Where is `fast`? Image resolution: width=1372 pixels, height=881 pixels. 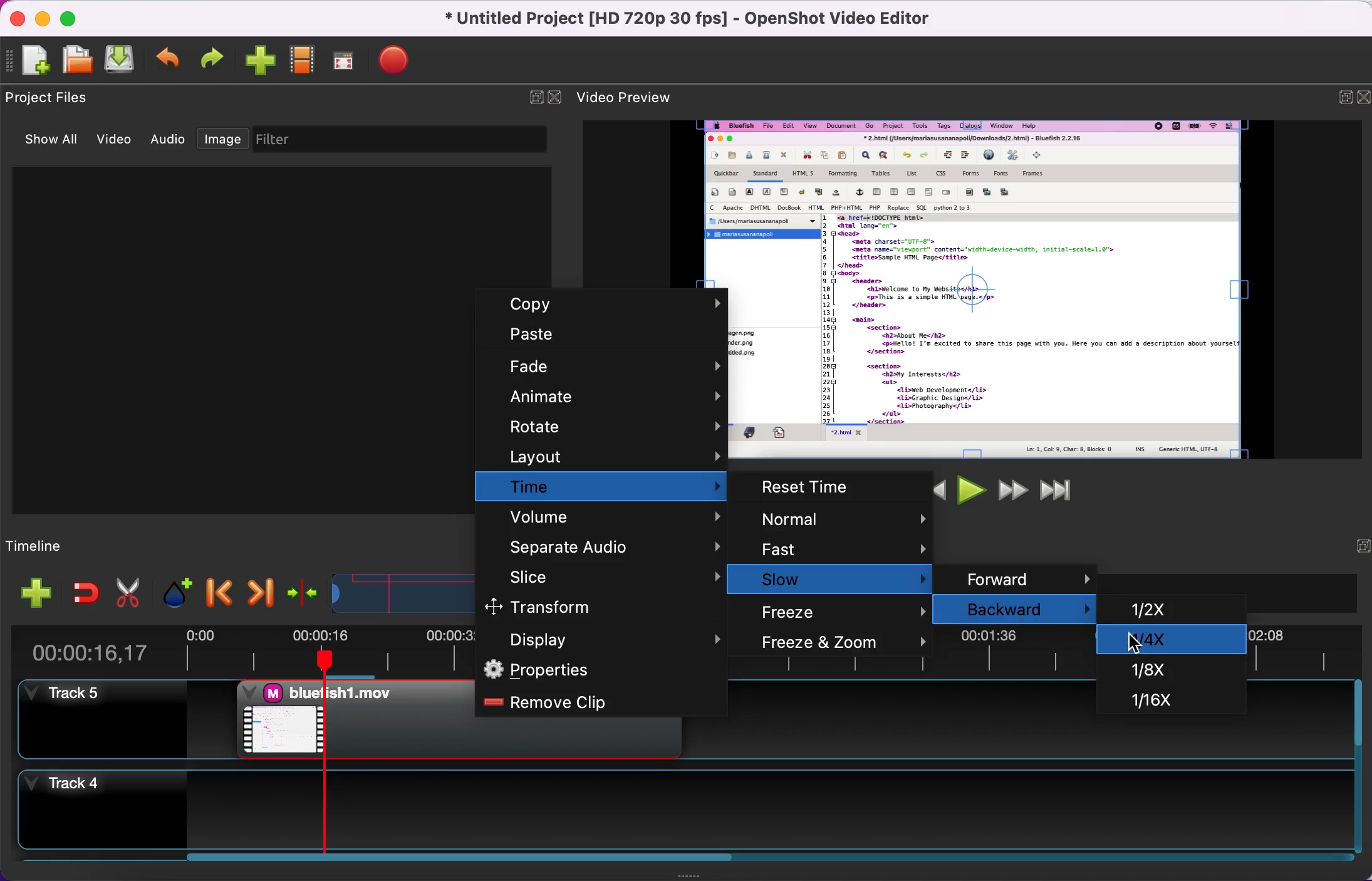 fast is located at coordinates (839, 550).